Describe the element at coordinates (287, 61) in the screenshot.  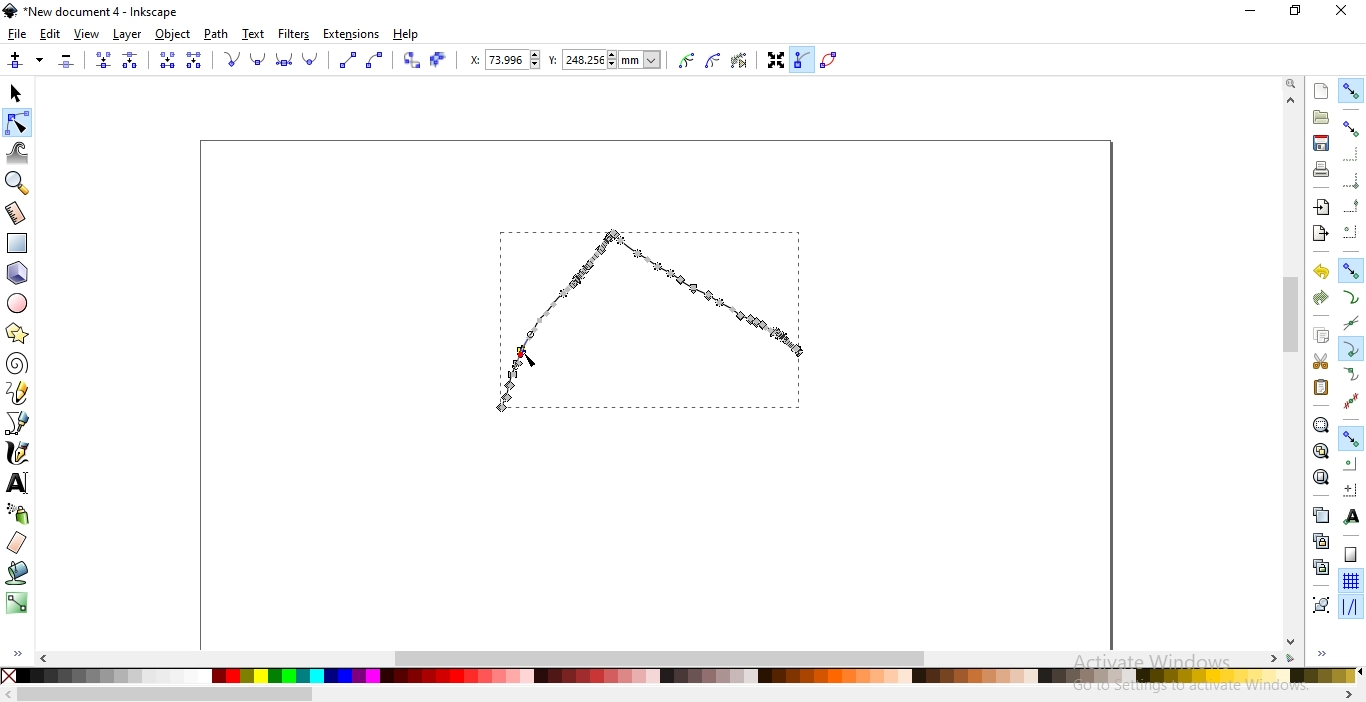
I see `make selected nodes symmetric` at that location.